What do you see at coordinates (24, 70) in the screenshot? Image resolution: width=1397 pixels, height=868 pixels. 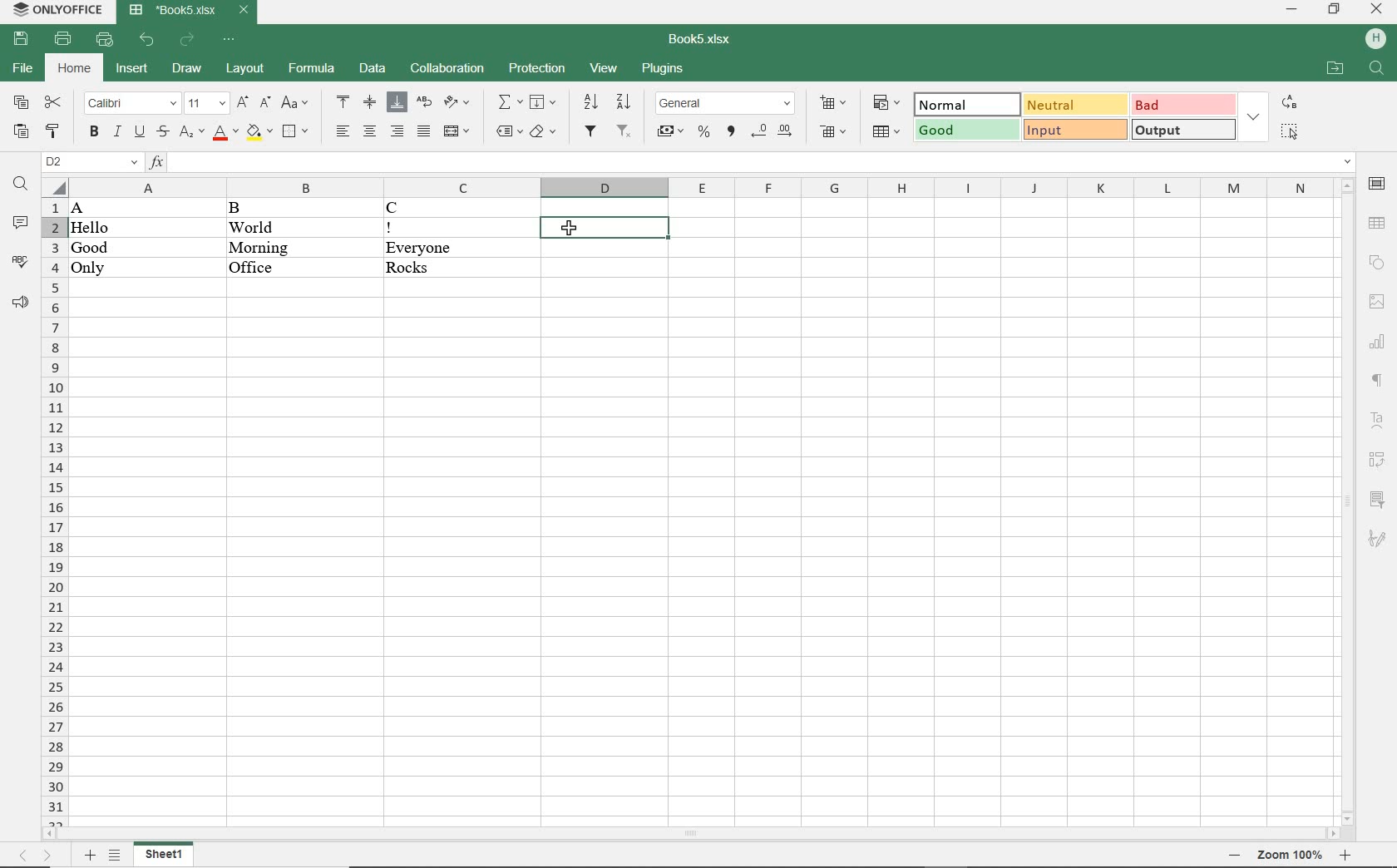 I see `FILE` at bounding box center [24, 70].